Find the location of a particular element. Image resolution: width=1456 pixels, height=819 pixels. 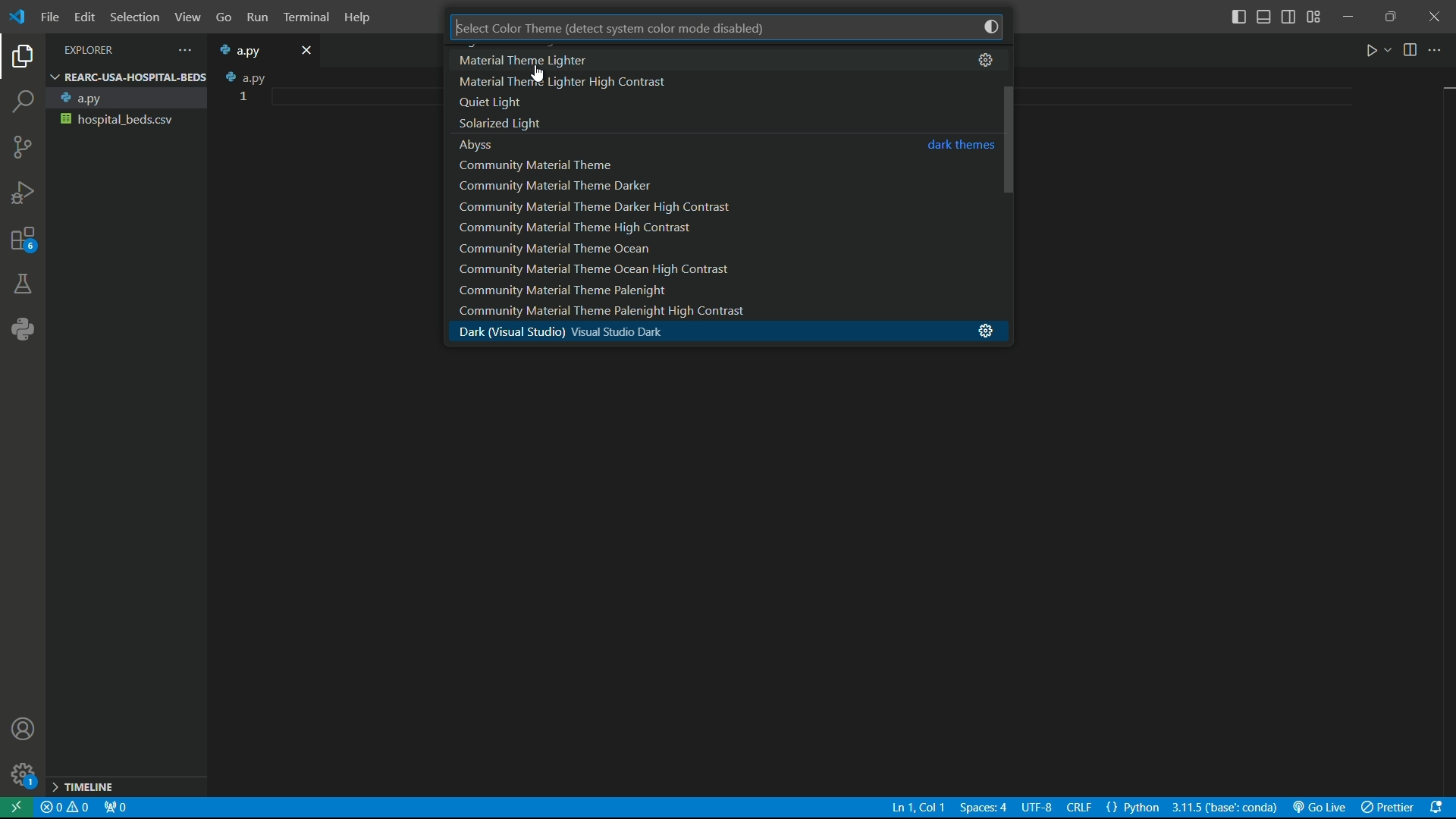

Material Theme Lighter is located at coordinates (533, 59).